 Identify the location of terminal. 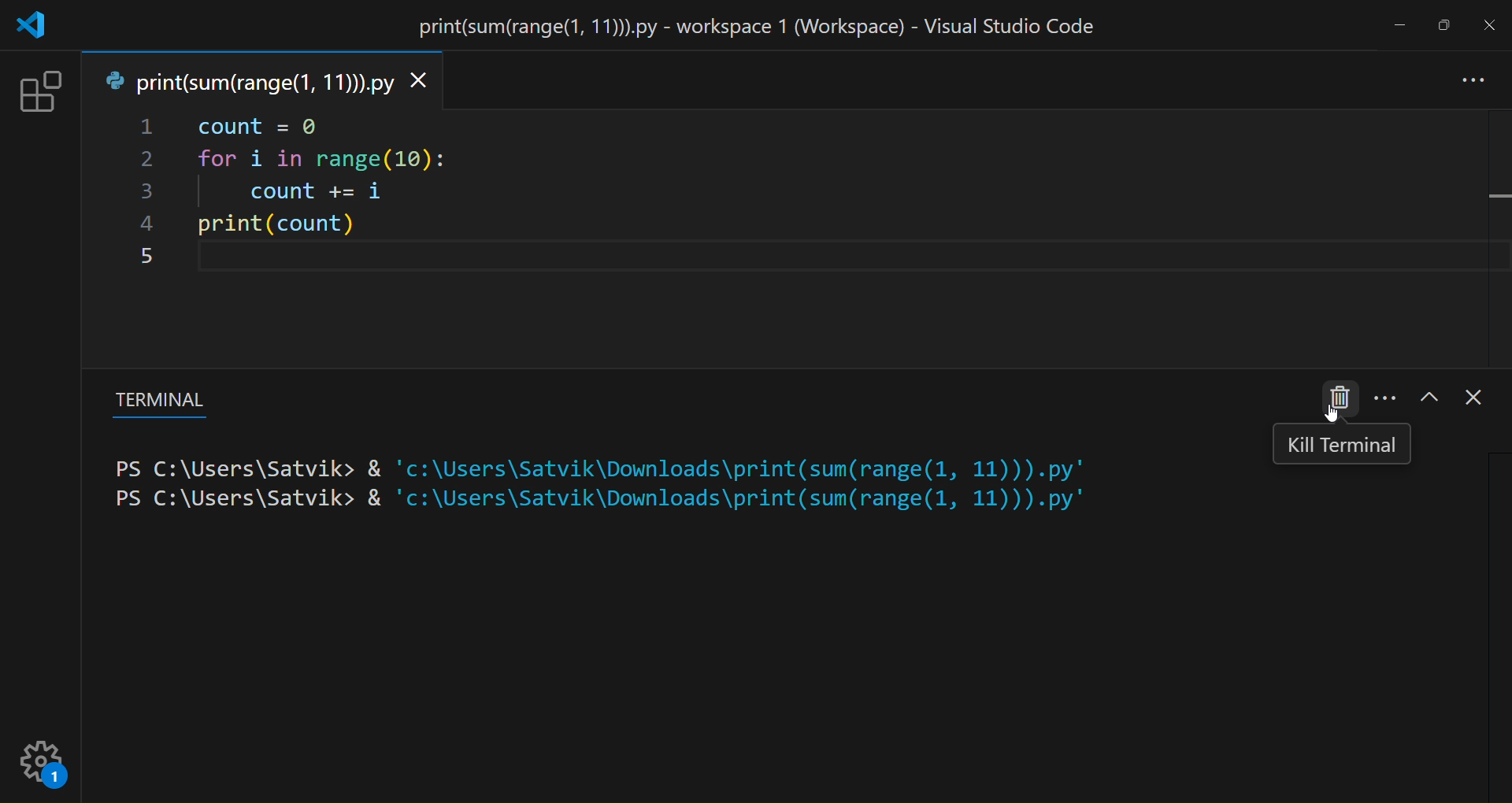
(155, 402).